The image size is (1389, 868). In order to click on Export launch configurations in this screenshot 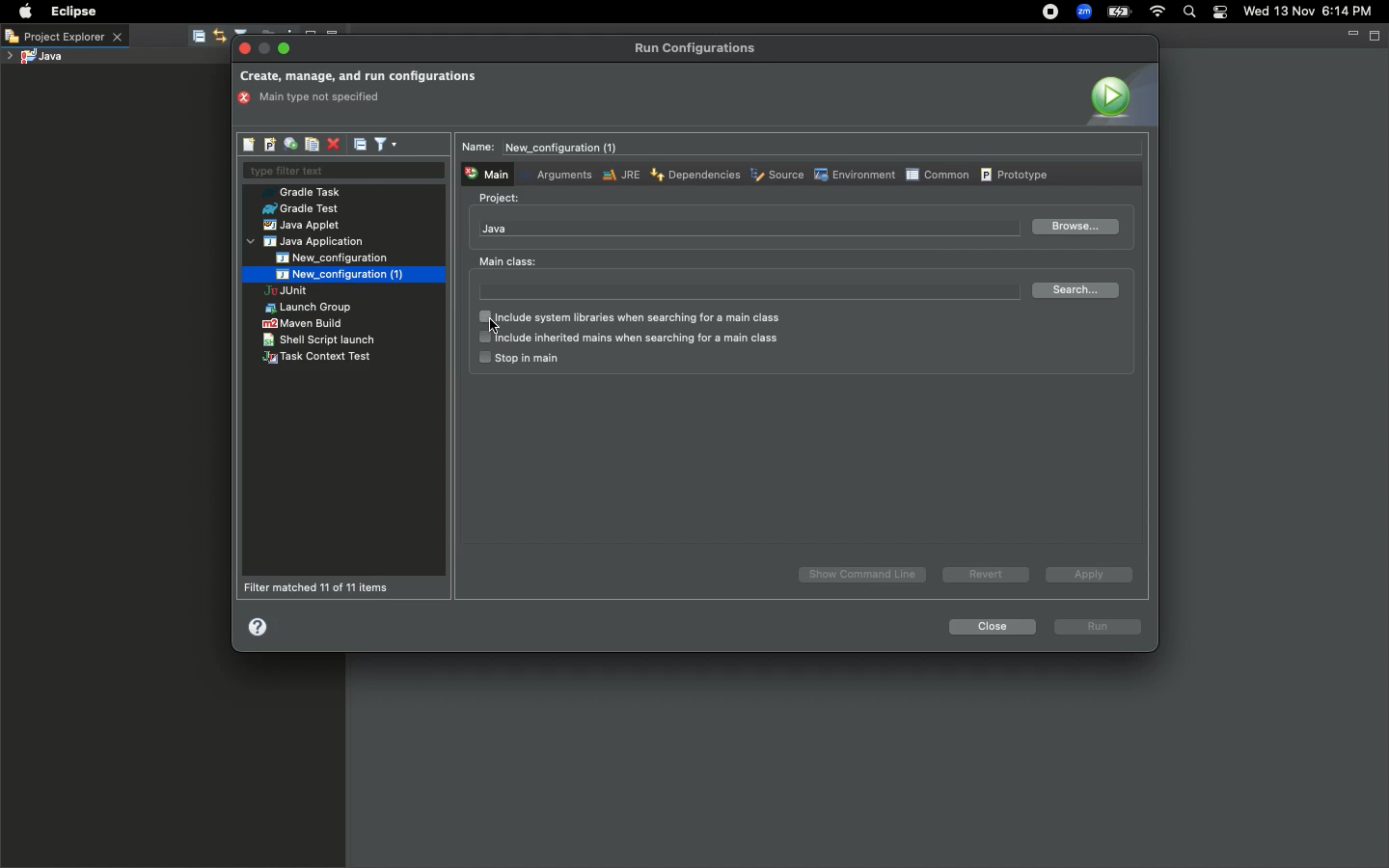, I will do `click(289, 145)`.